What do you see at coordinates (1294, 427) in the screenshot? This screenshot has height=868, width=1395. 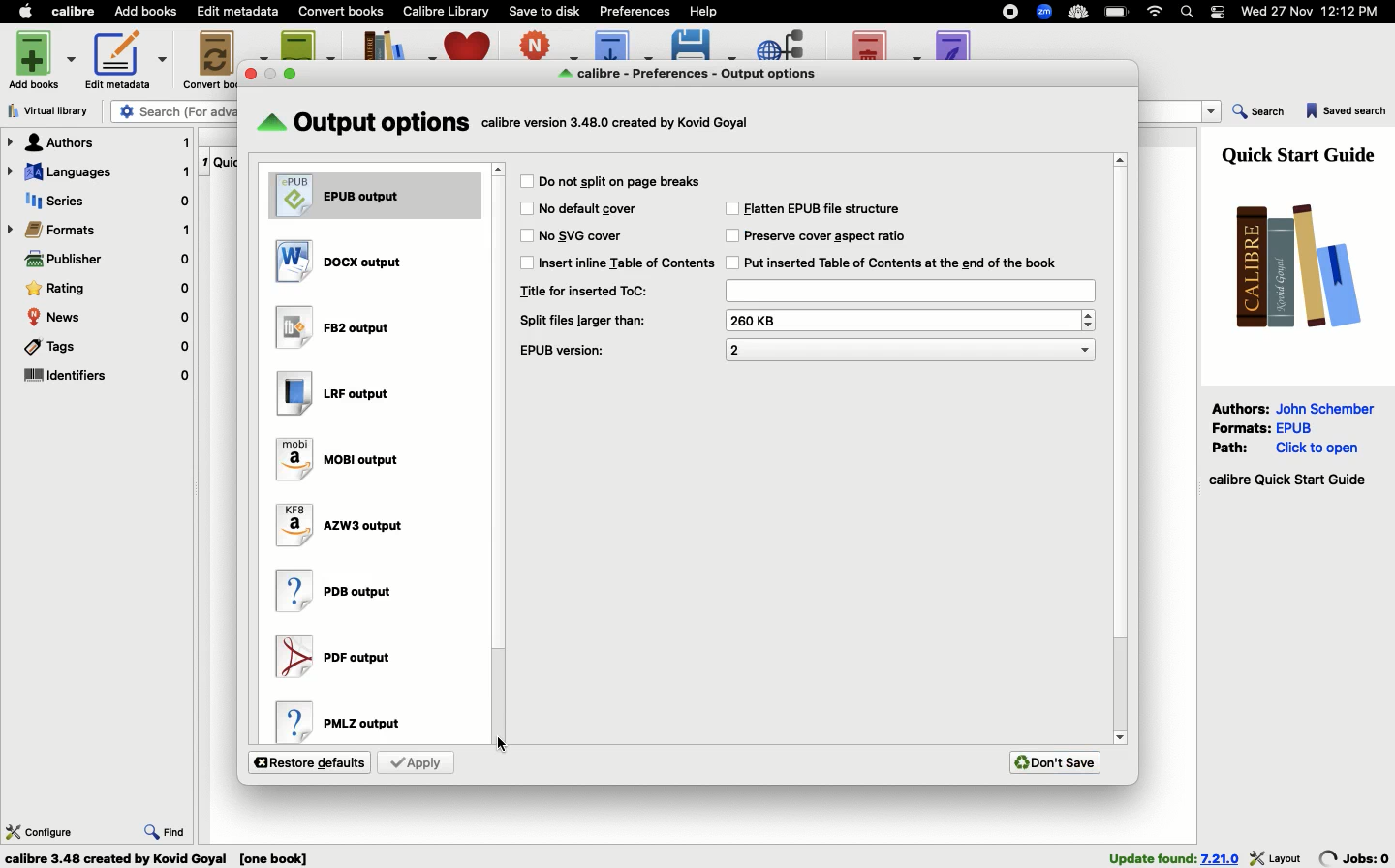 I see `epub` at bounding box center [1294, 427].